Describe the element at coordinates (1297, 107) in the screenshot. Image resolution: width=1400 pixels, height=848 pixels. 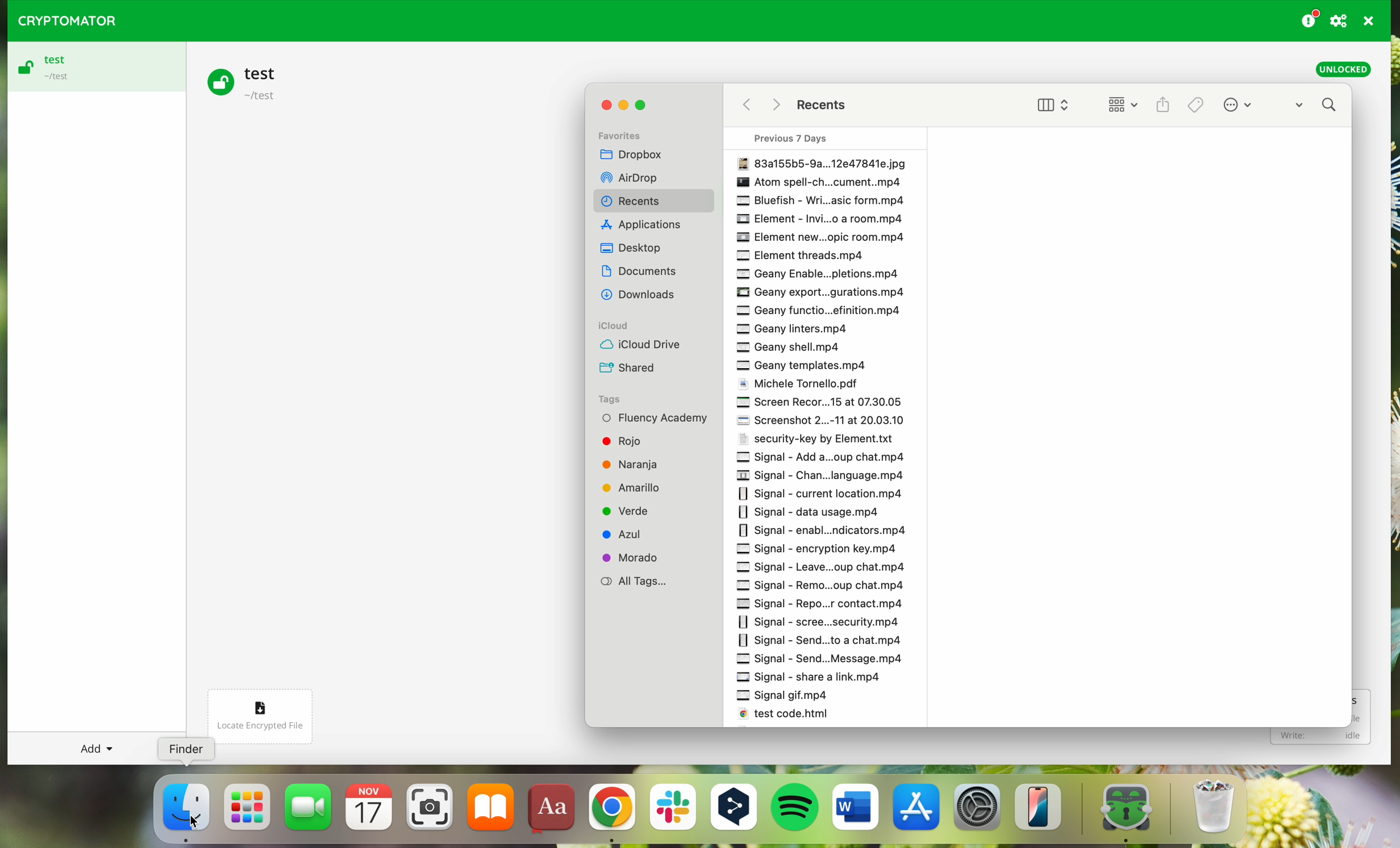
I see `dropdown` at that location.